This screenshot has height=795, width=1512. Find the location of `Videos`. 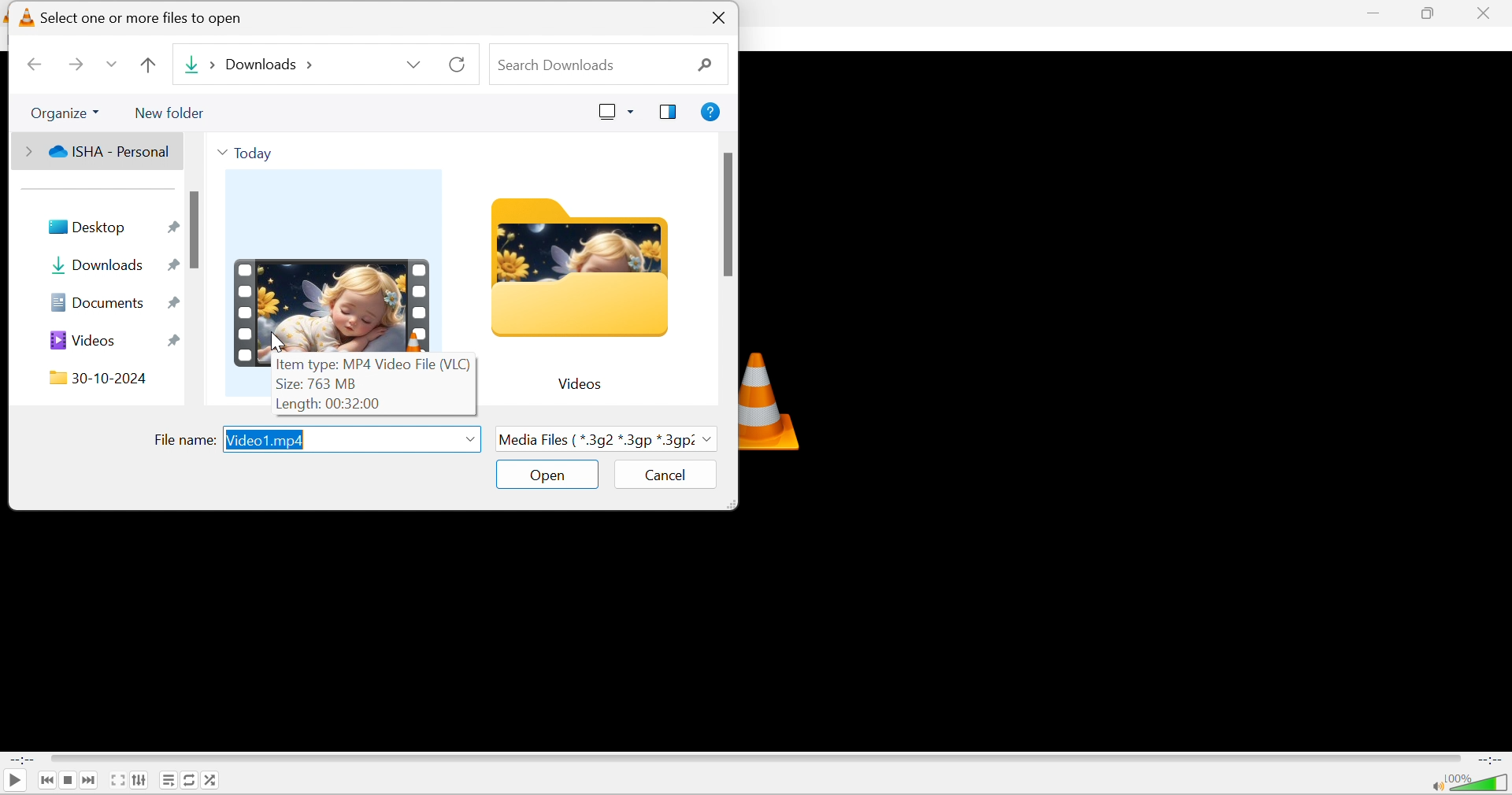

Videos is located at coordinates (578, 386).